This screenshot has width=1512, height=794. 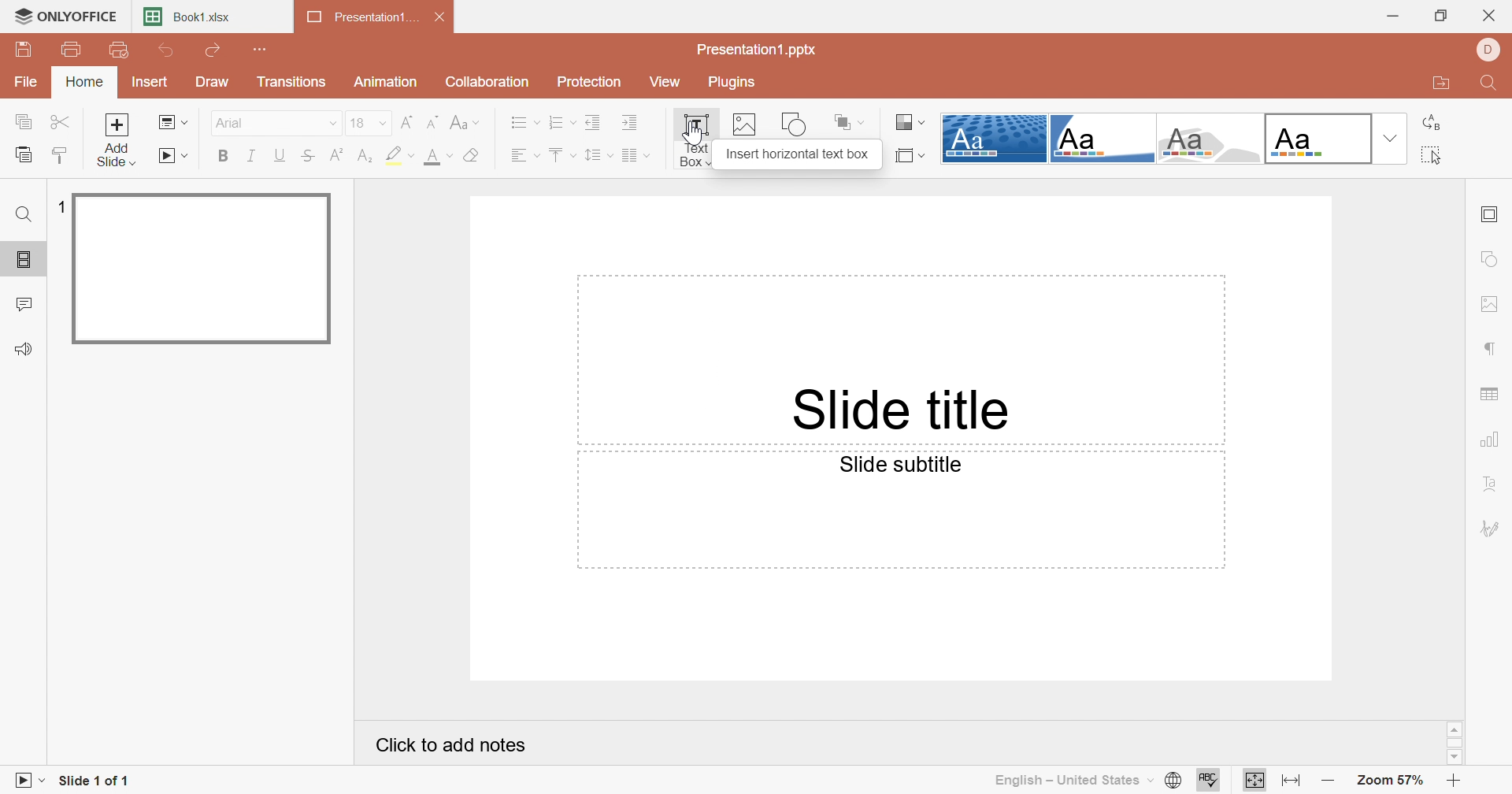 I want to click on Zoom in, so click(x=1455, y=780).